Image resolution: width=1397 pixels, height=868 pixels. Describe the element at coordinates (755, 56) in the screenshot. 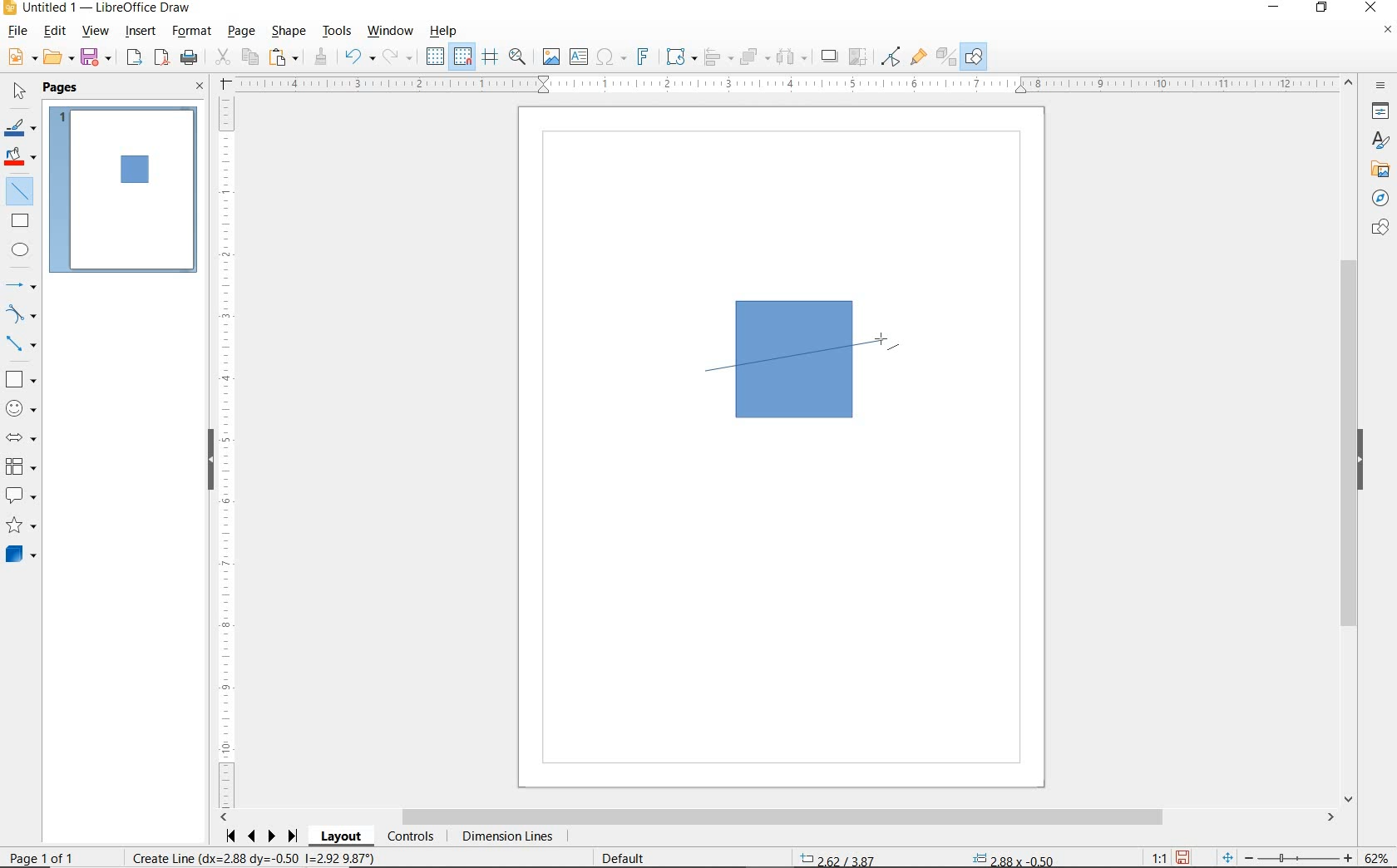

I see `ARRANGE` at that location.